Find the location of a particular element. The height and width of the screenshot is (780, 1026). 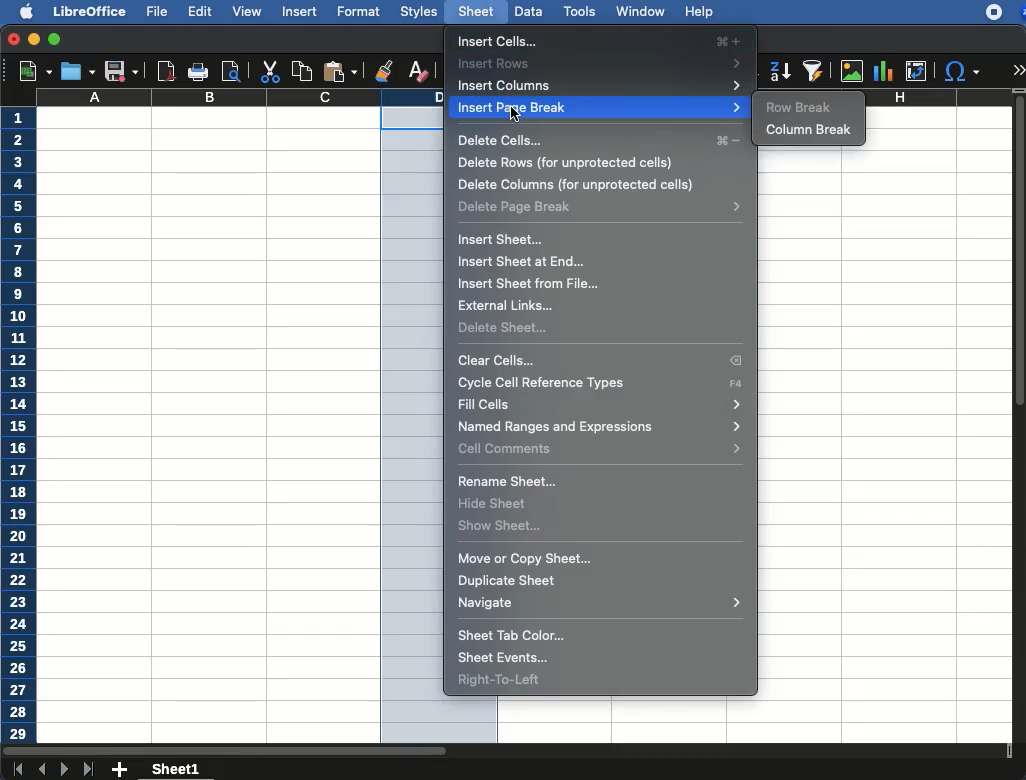

insert cells is located at coordinates (599, 41).